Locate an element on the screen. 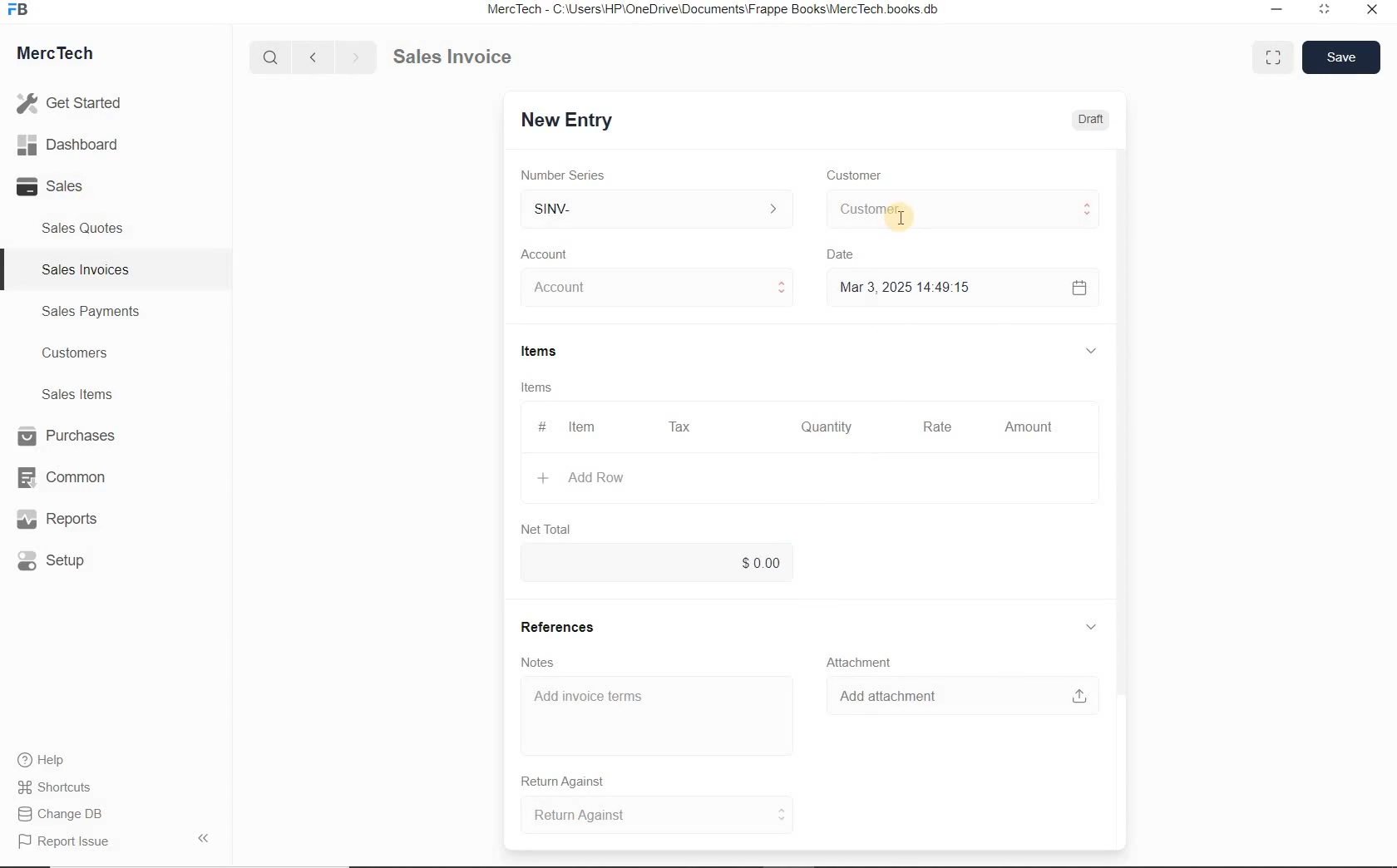 This screenshot has height=868, width=1397. Items is located at coordinates (548, 353).